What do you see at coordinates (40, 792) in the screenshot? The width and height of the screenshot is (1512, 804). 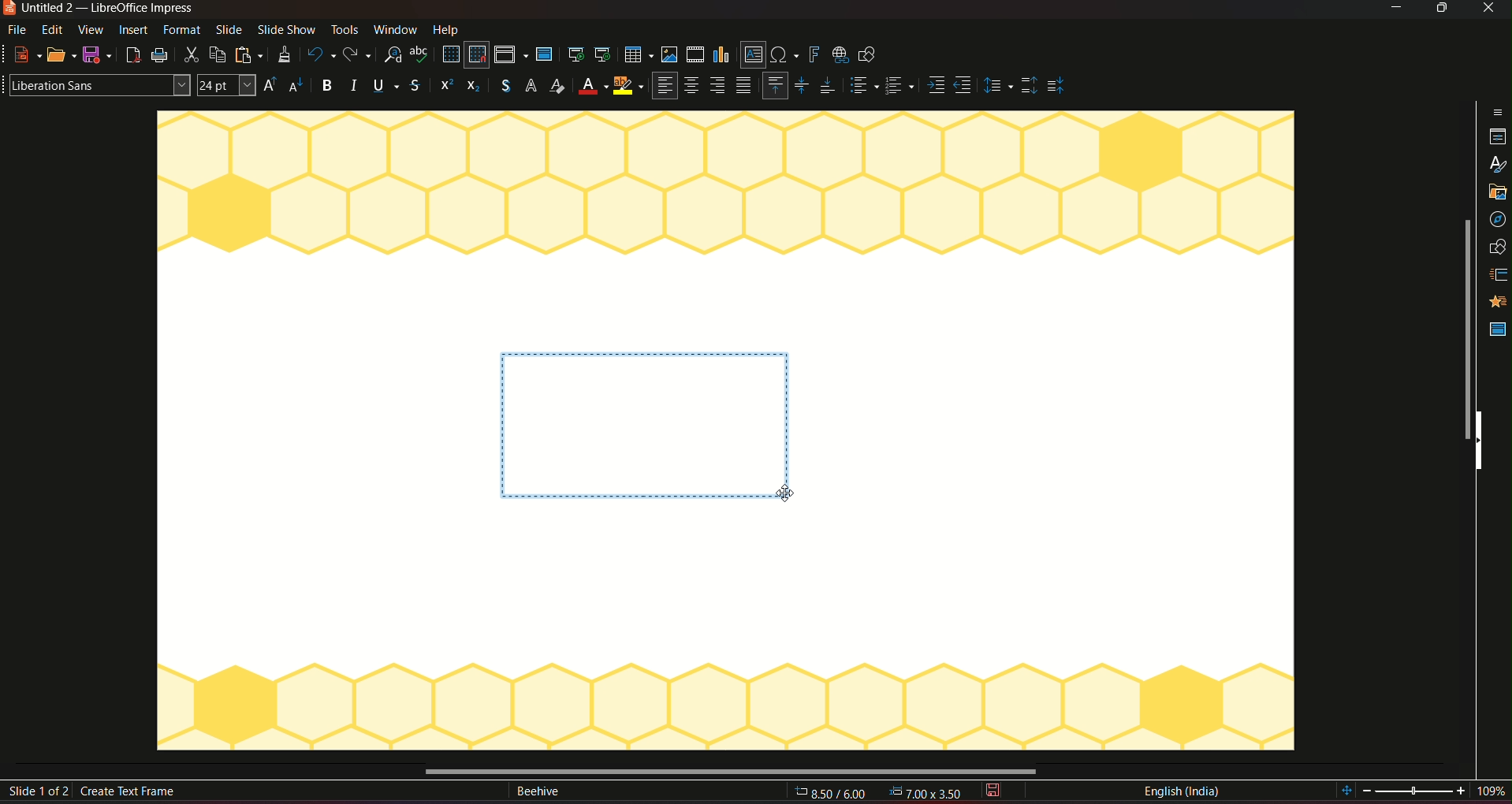 I see `slide 1 of 2` at bounding box center [40, 792].